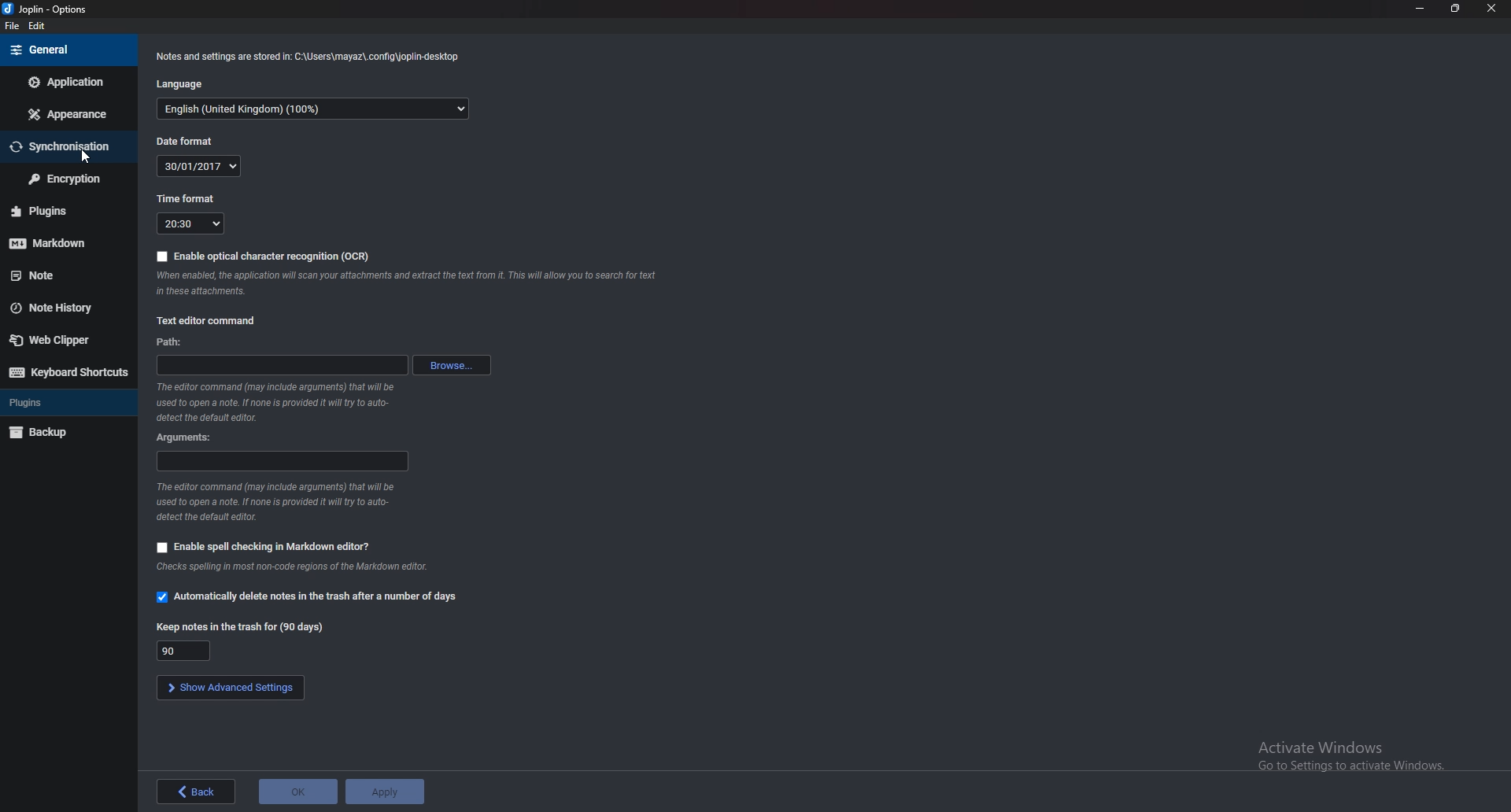  Describe the element at coordinates (180, 84) in the screenshot. I see `language` at that location.